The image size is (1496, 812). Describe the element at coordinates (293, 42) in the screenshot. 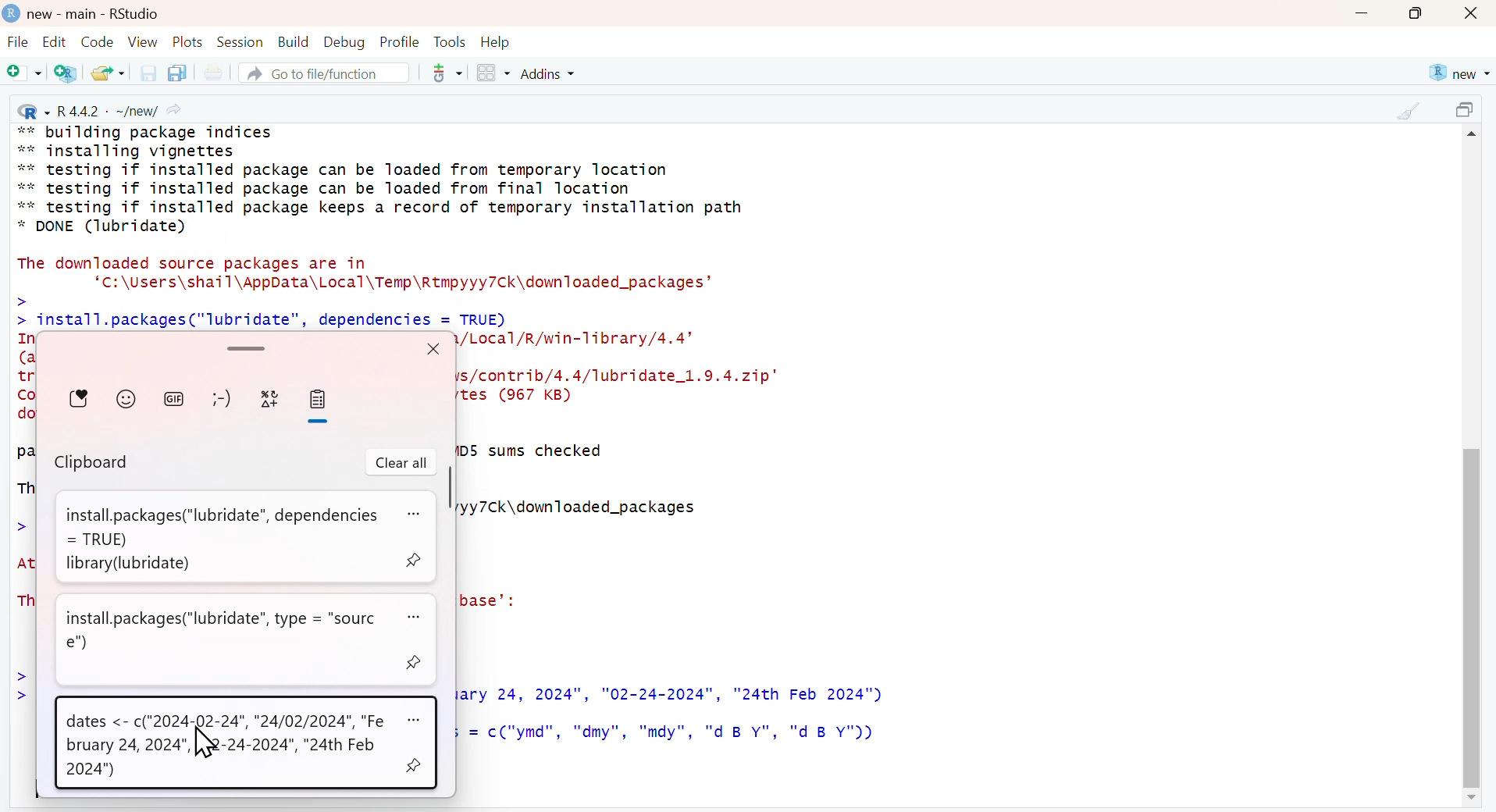

I see `Build` at that location.